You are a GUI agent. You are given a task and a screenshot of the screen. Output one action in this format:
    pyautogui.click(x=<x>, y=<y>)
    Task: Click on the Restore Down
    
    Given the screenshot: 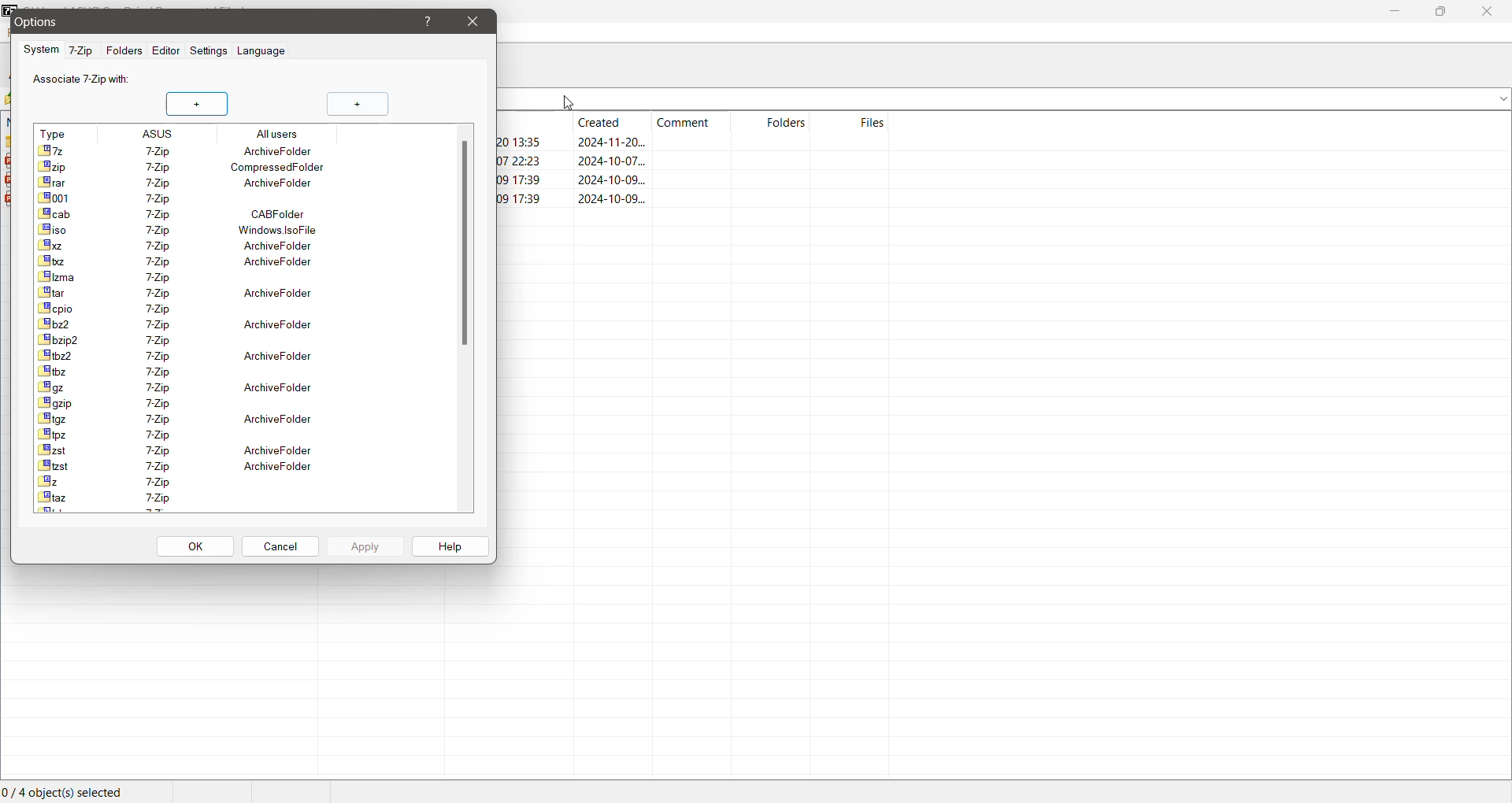 What is the action you would take?
    pyautogui.click(x=1439, y=11)
    